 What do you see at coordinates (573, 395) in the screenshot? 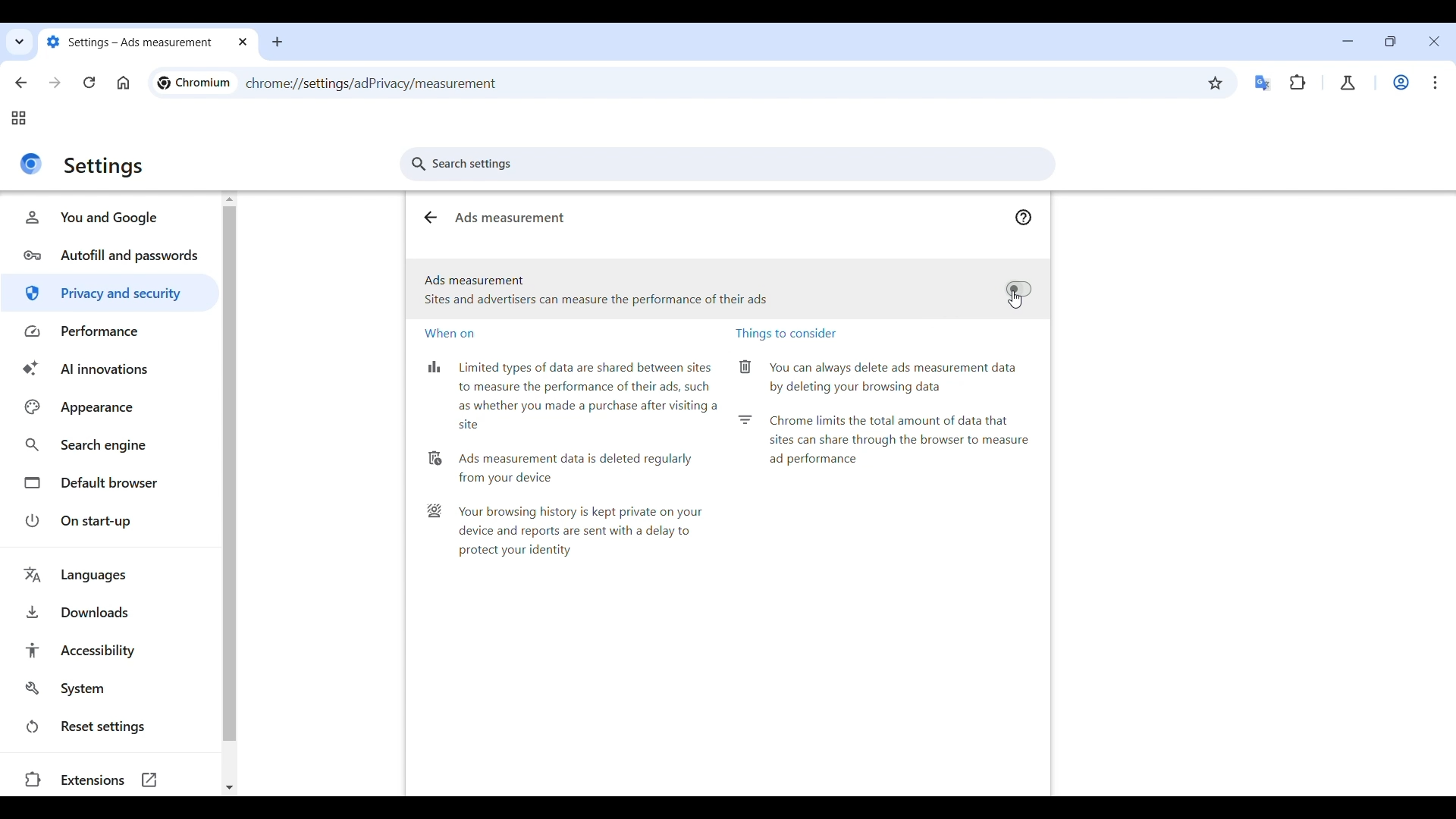
I see `Limited types of data are shared between sites
to measure the performance of their ads, such
as whether you made a purchase after visiting a
site` at bounding box center [573, 395].